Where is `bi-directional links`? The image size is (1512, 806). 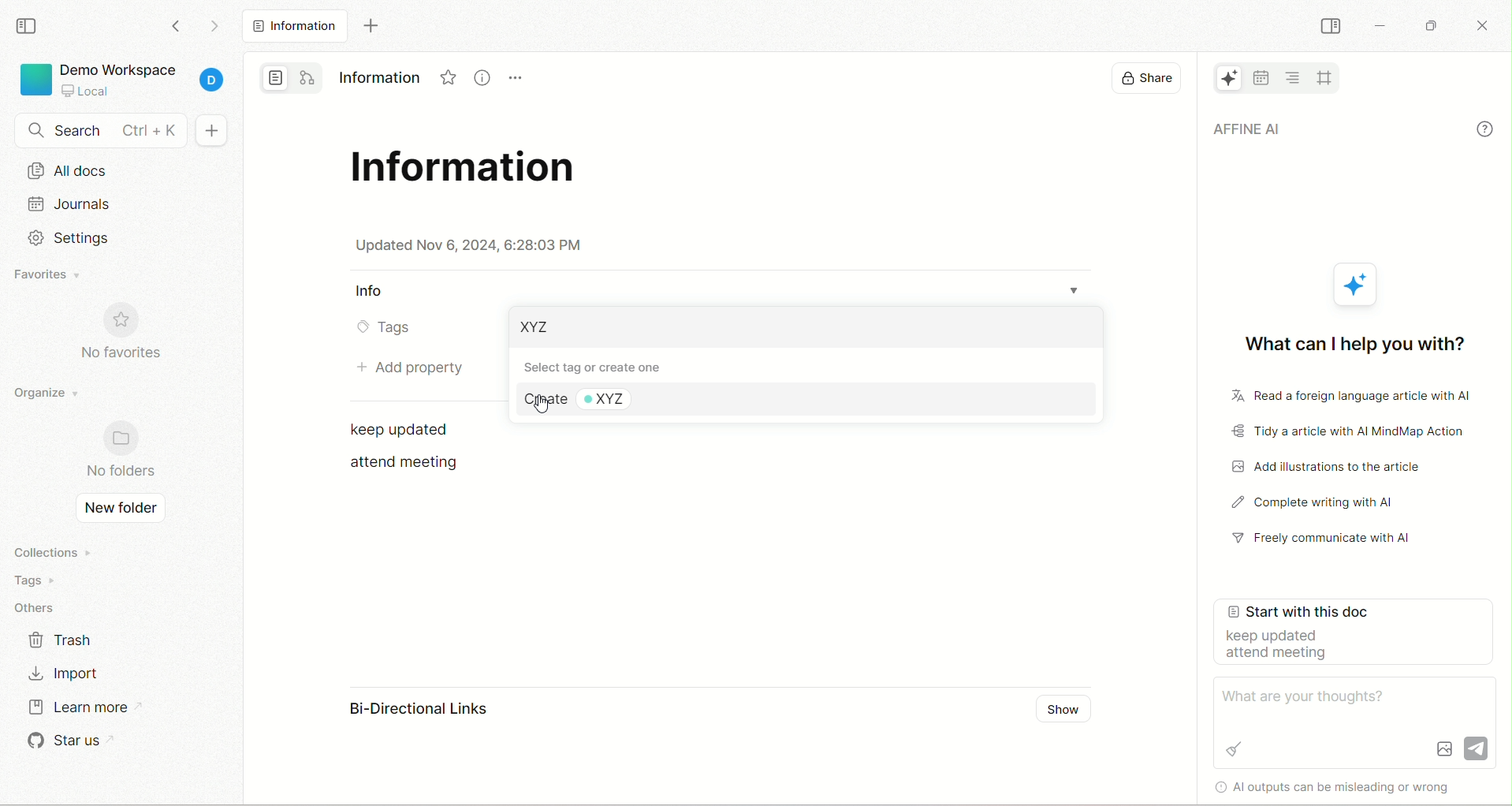 bi-directional links is located at coordinates (403, 711).